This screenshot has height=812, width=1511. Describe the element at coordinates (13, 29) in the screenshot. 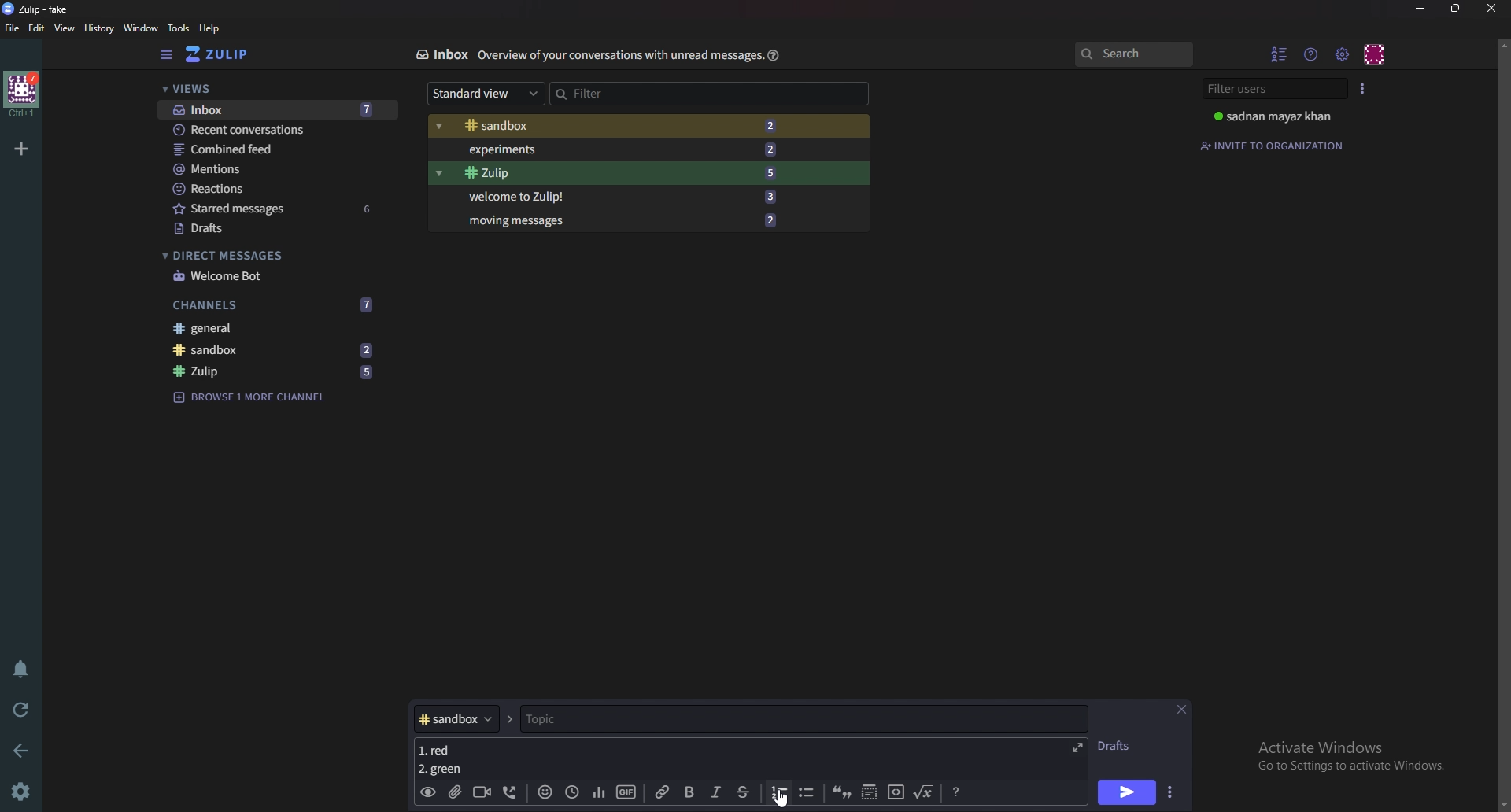

I see `File` at that location.